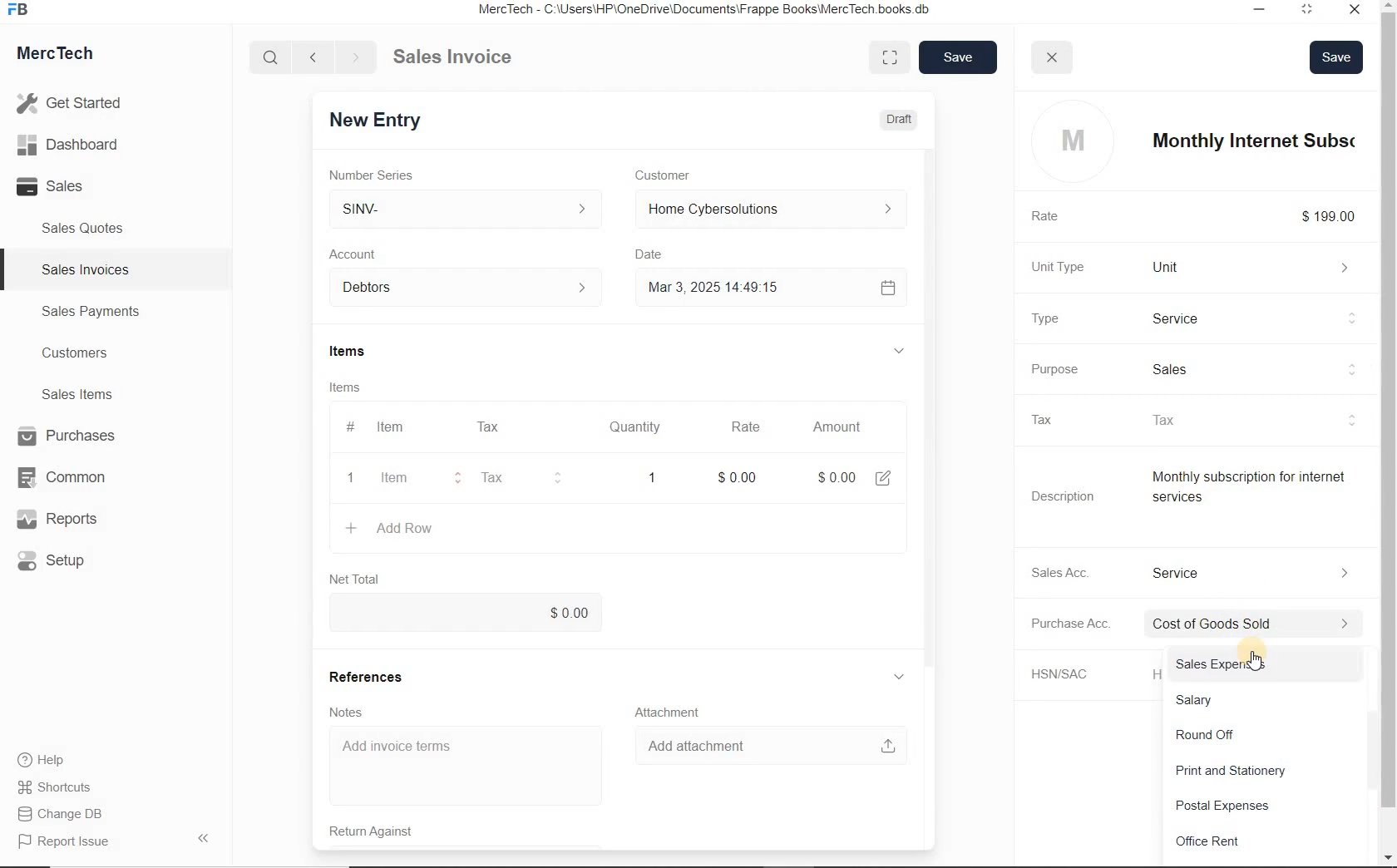 This screenshot has width=1397, height=868. What do you see at coordinates (63, 57) in the screenshot?
I see `MercTech` at bounding box center [63, 57].